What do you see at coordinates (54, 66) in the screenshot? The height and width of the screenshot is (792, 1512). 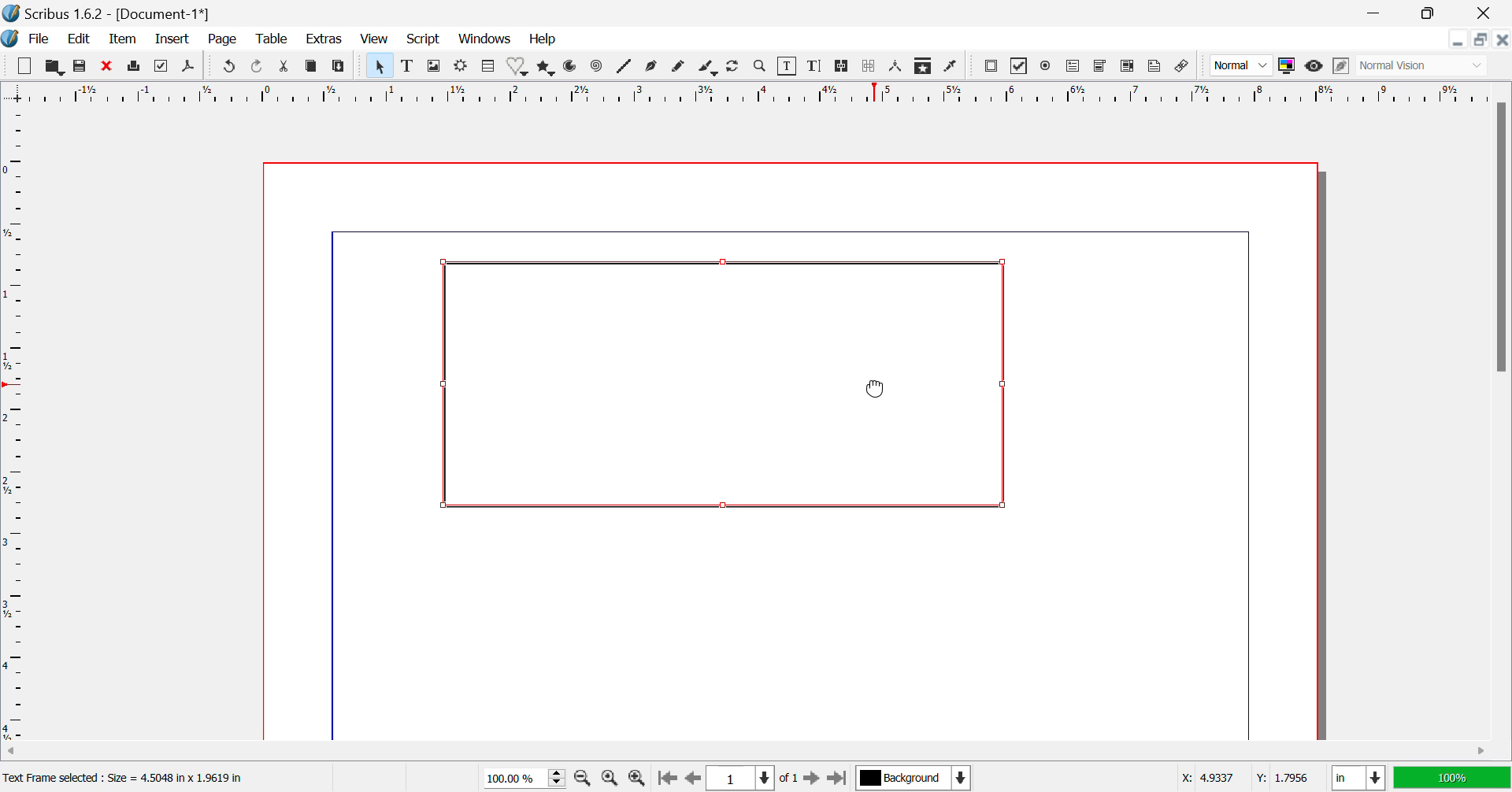 I see `Open` at bounding box center [54, 66].